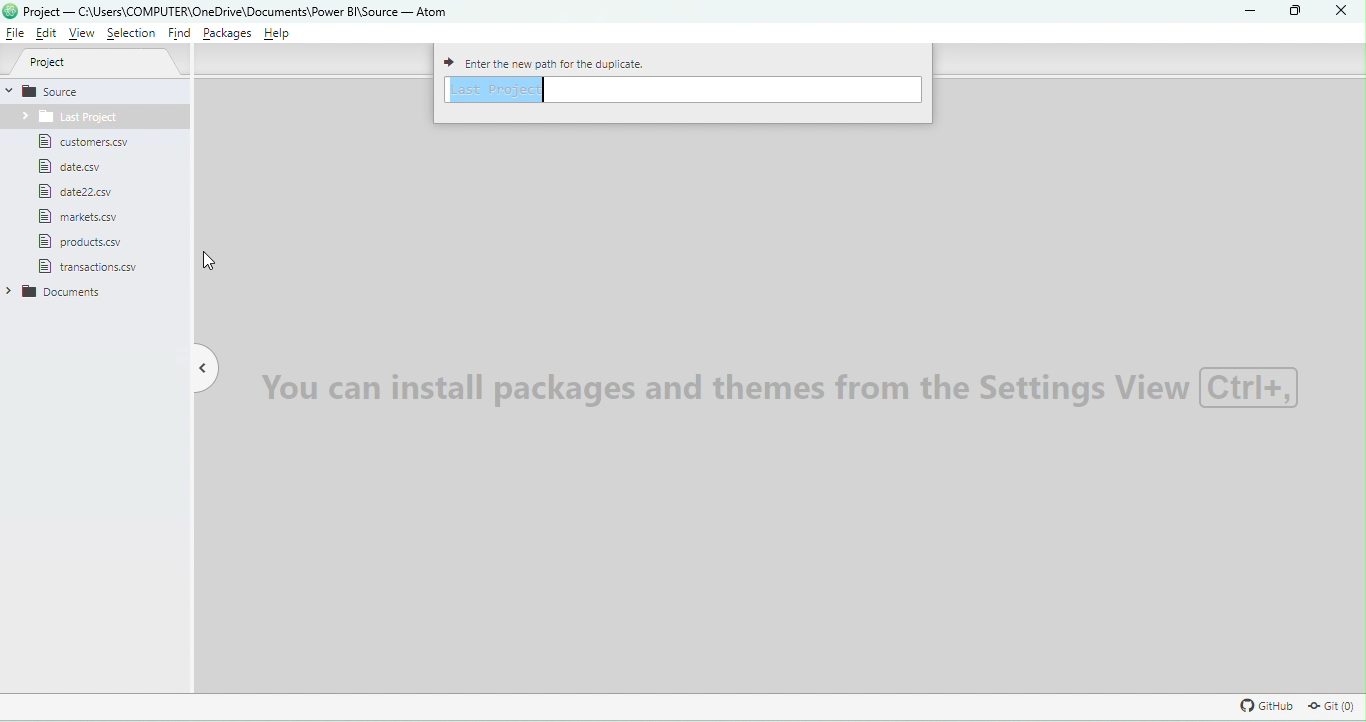  Describe the element at coordinates (81, 242) in the screenshot. I see `File` at that location.